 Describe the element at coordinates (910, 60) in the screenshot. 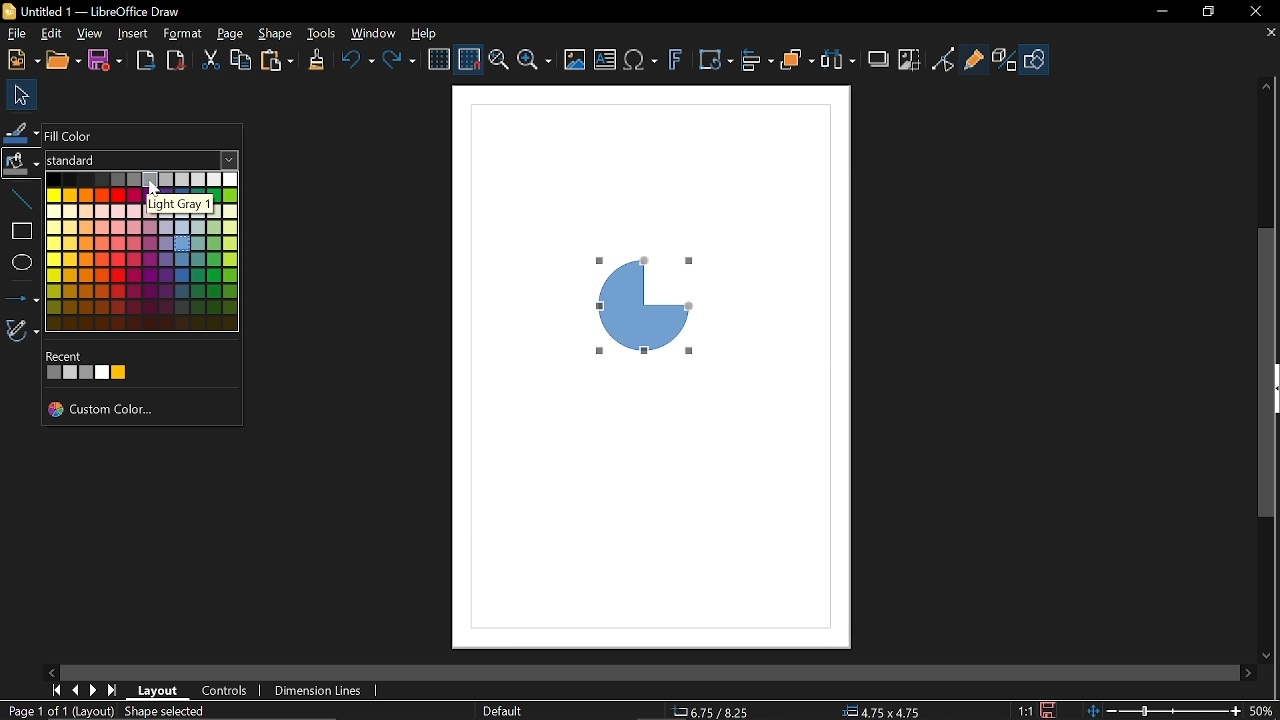

I see `Crop` at that location.